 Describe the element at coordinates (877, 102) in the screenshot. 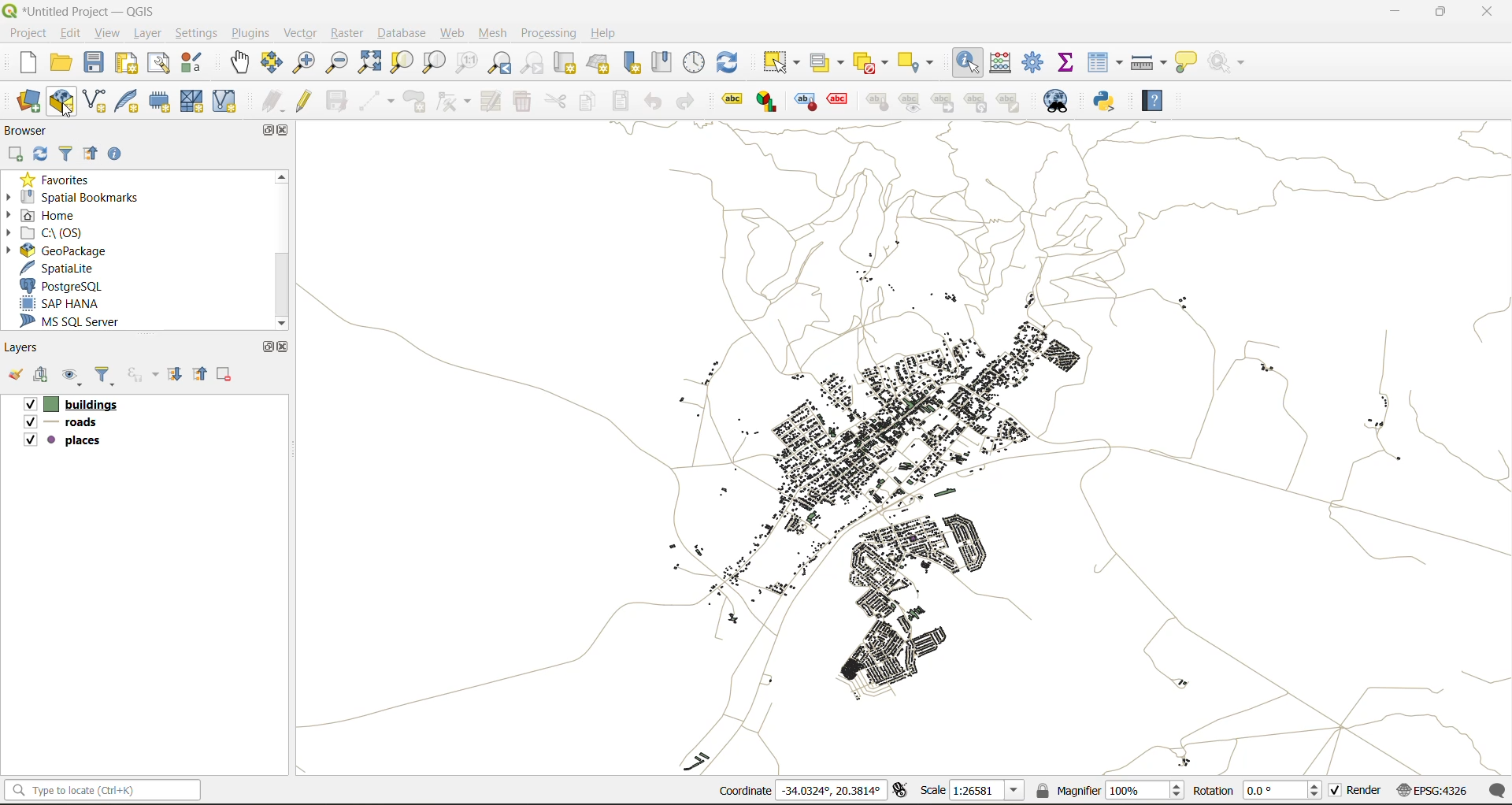

I see `style` at that location.